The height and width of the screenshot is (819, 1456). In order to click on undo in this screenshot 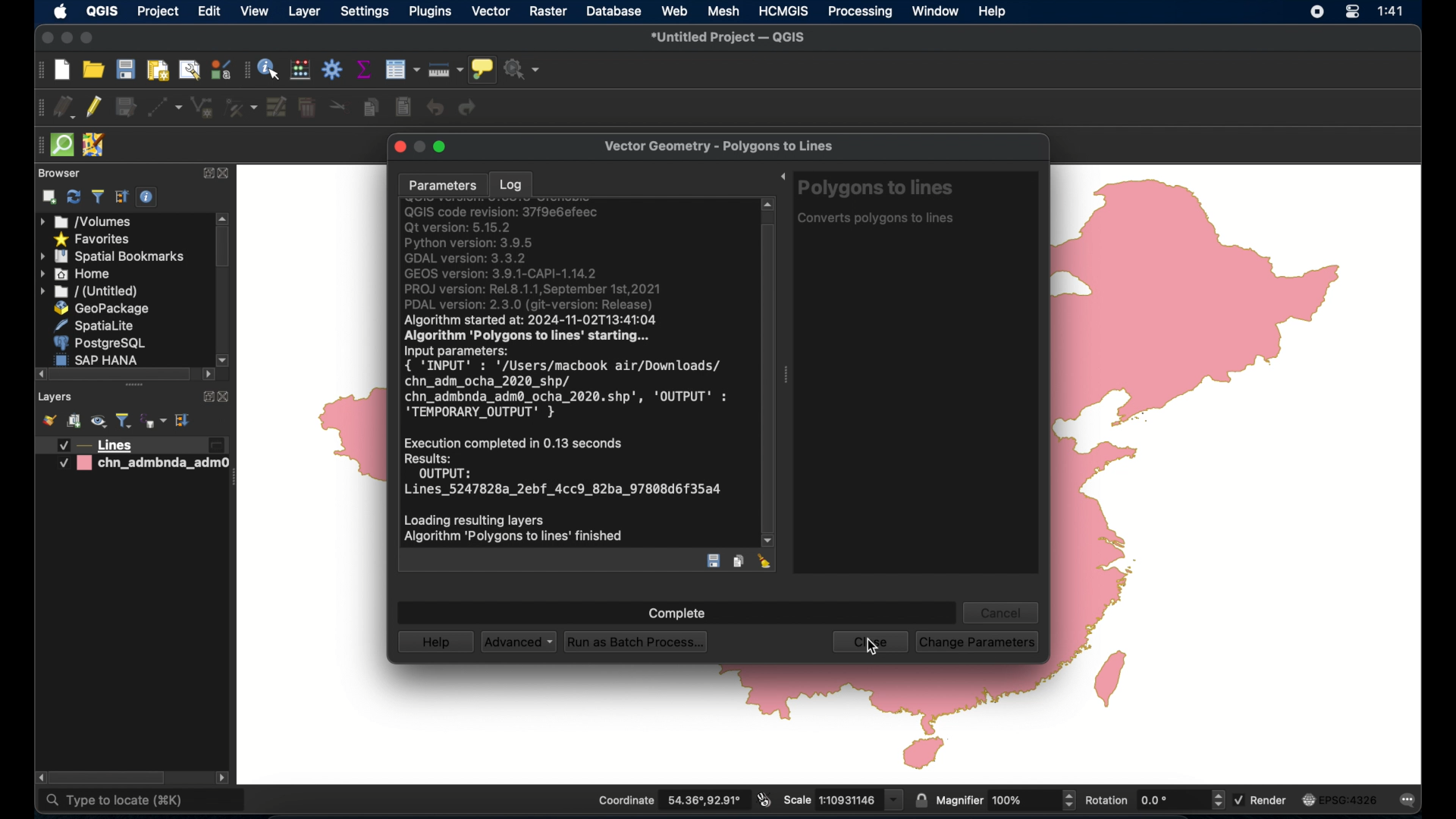, I will do `click(435, 108)`.